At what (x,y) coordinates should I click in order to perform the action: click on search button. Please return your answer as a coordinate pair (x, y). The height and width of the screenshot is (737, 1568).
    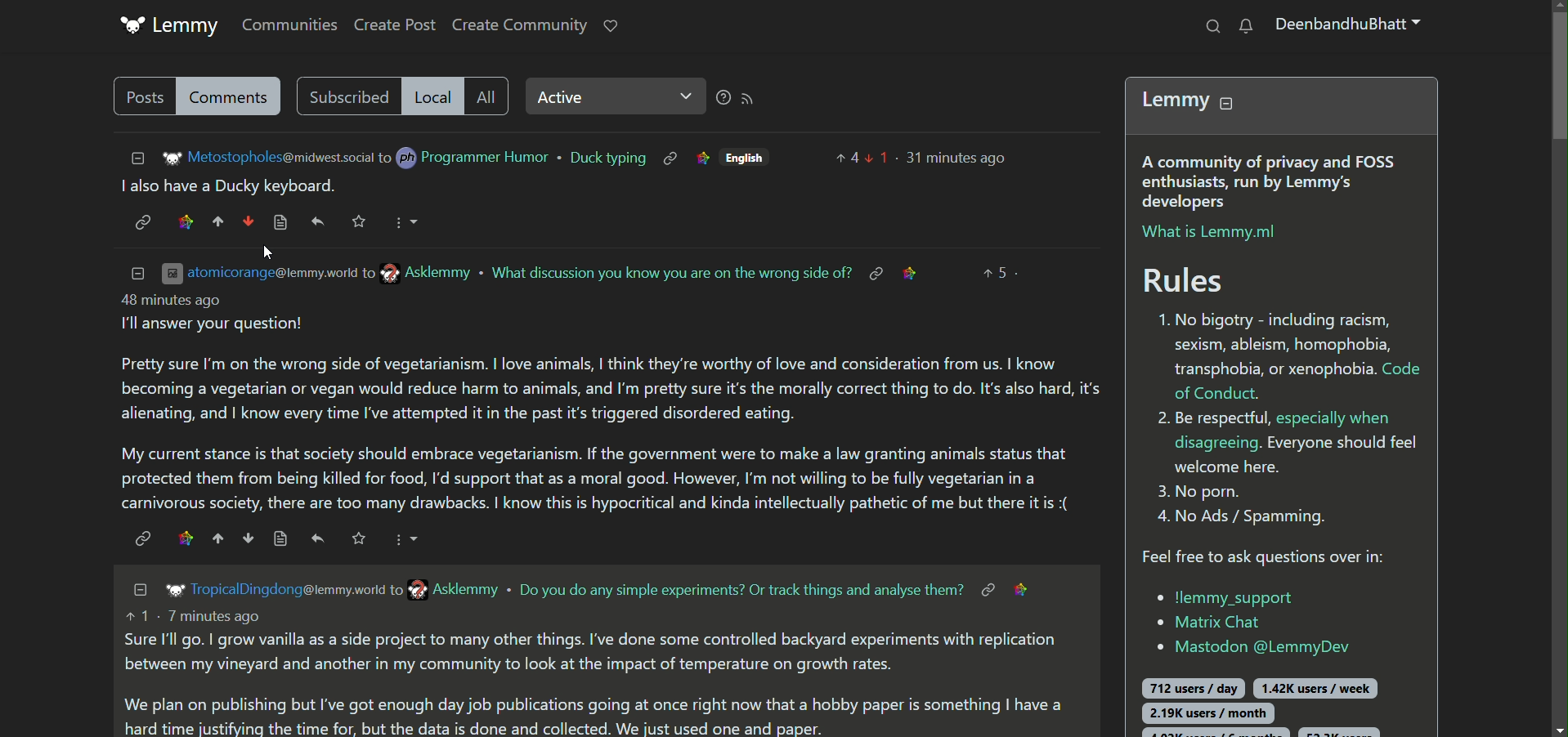
    Looking at the image, I should click on (1211, 25).